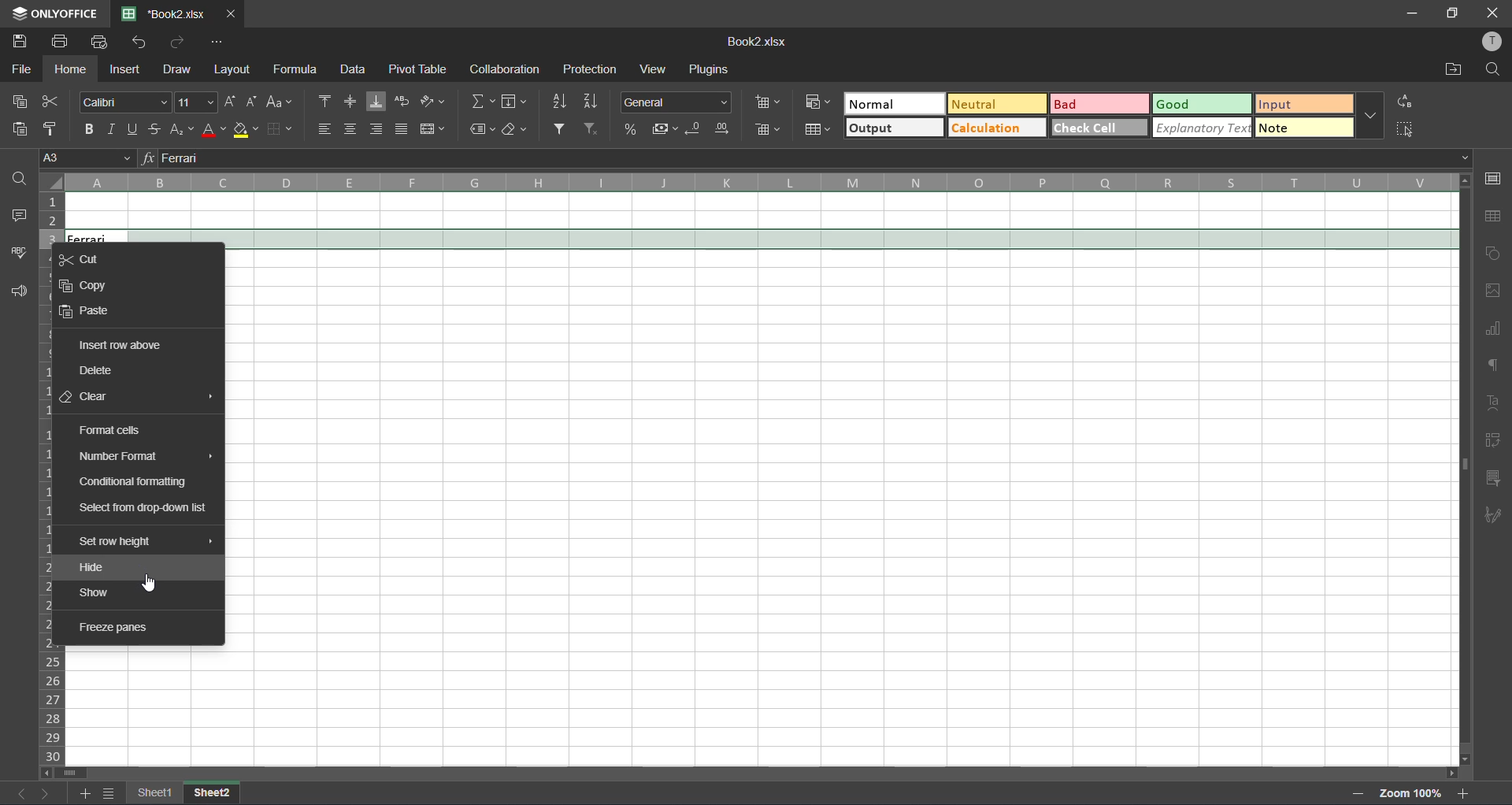 This screenshot has height=805, width=1512. What do you see at coordinates (102, 43) in the screenshot?
I see `quick print` at bounding box center [102, 43].